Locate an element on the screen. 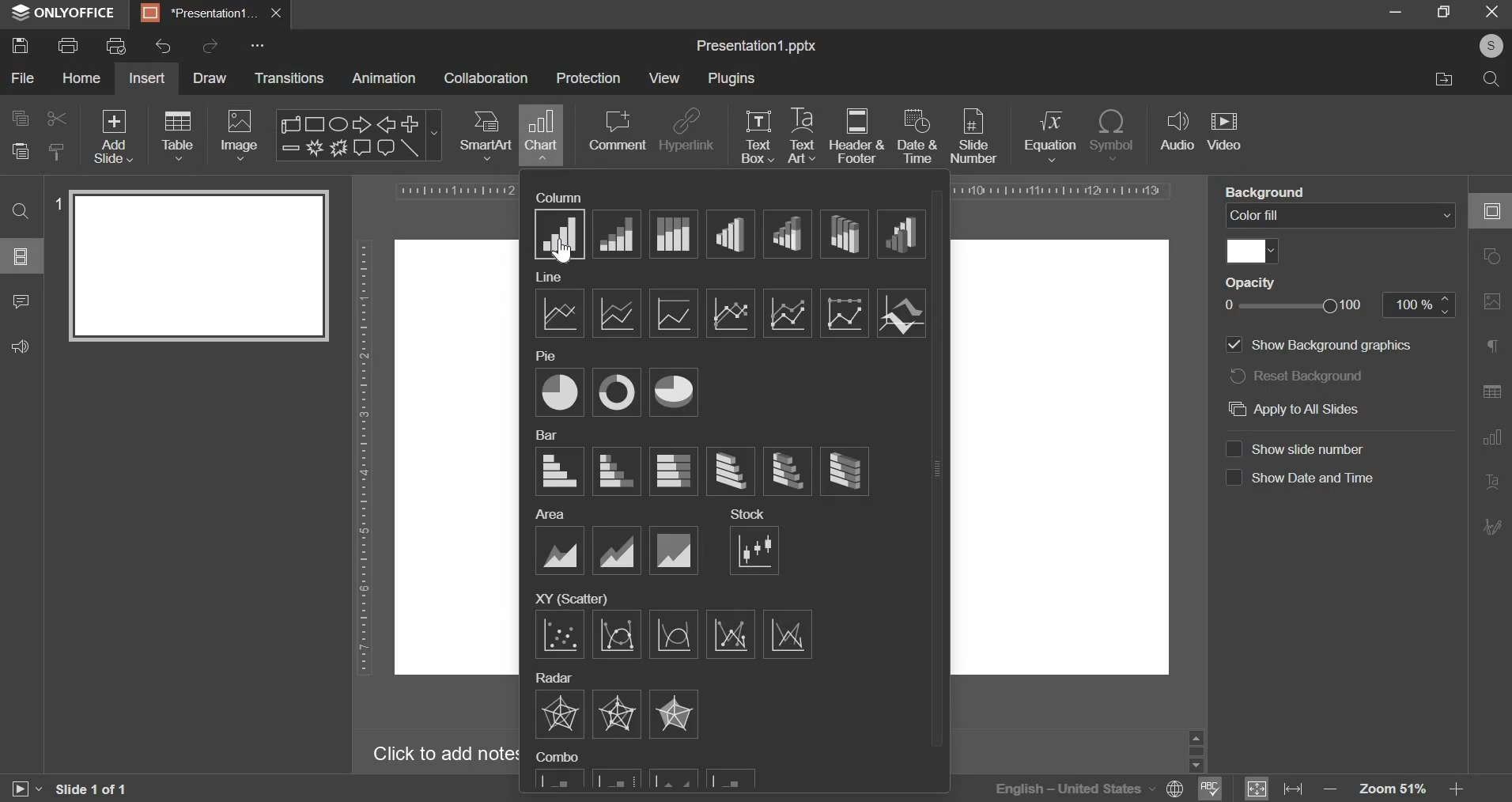 This screenshot has width=1512, height=802. radar is located at coordinates (552, 675).